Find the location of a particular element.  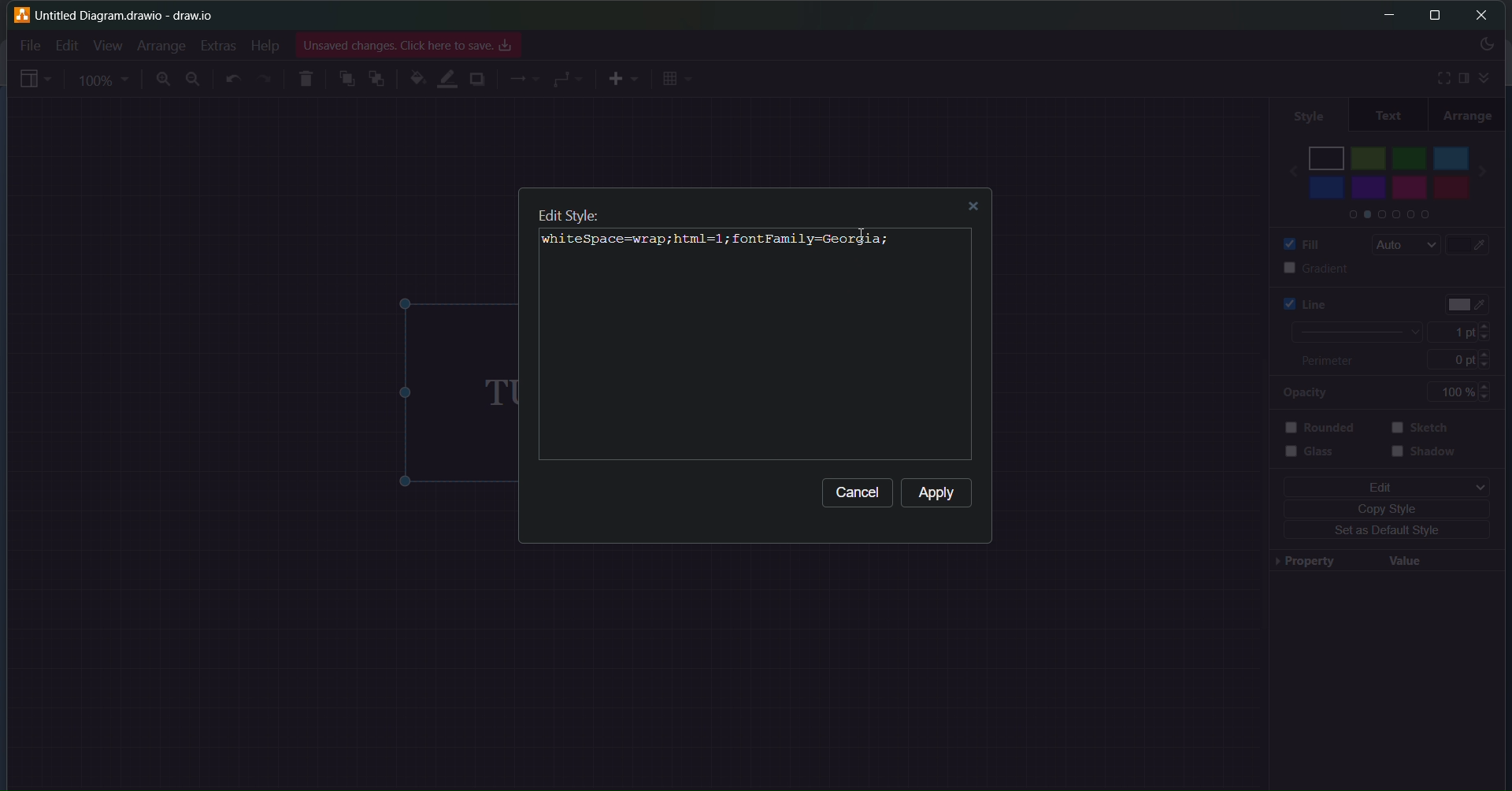

red is located at coordinates (1449, 189).